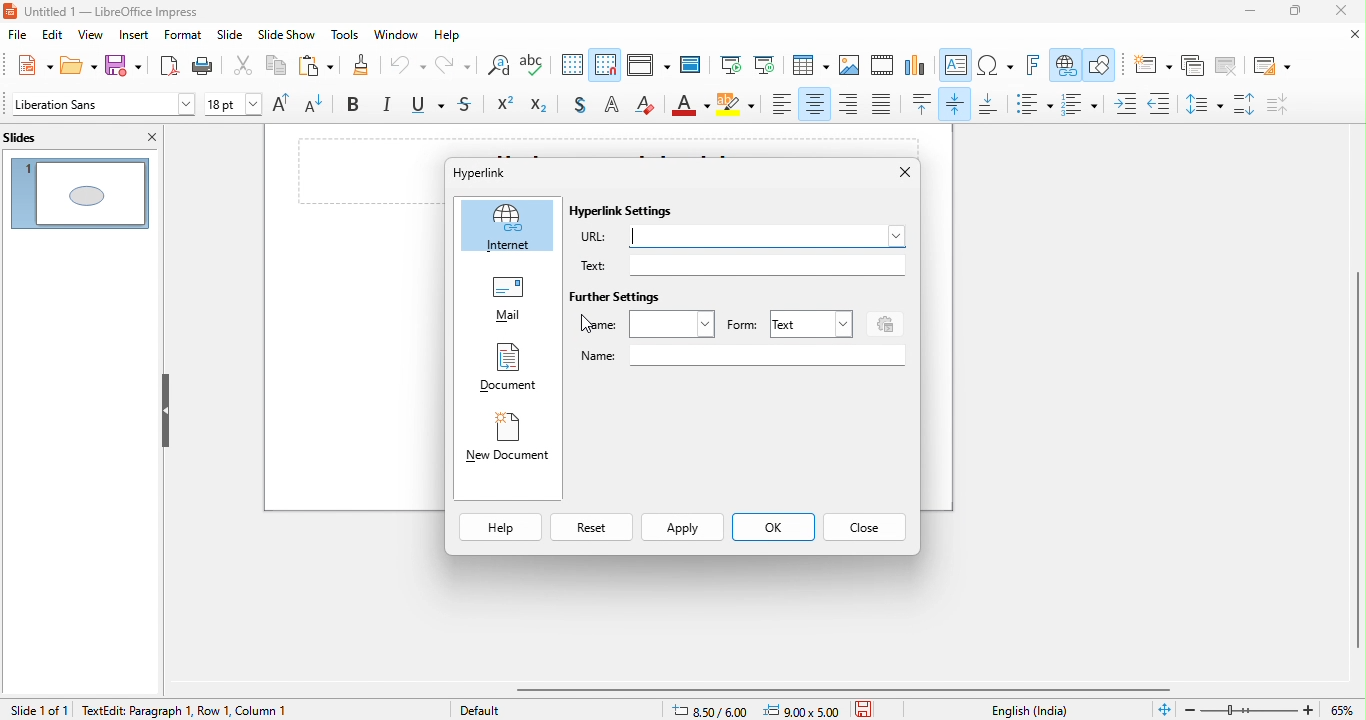  I want to click on 8.50/6.00, so click(717, 709).